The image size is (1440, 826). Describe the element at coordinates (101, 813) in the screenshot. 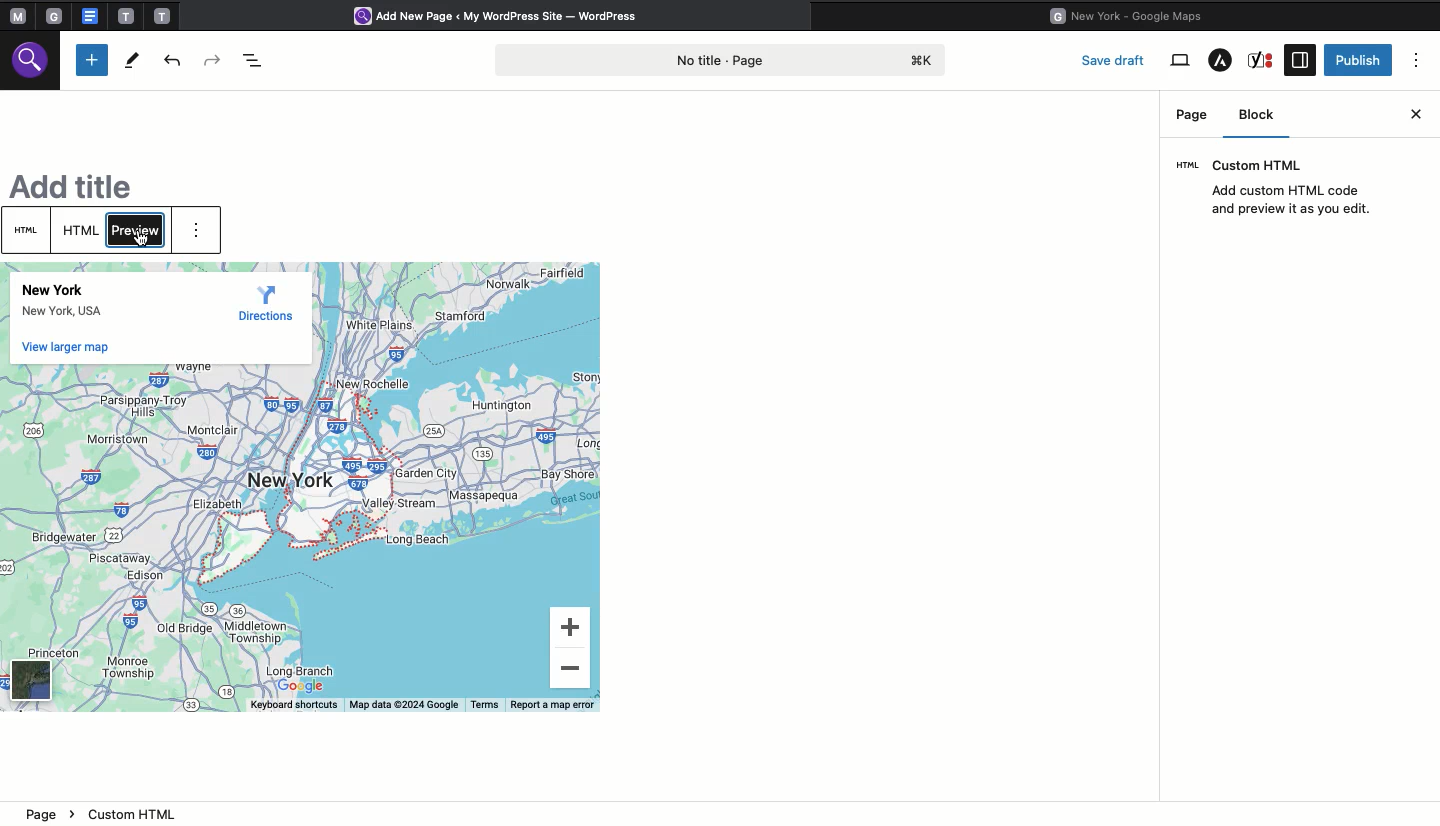

I see `page custom html` at that location.